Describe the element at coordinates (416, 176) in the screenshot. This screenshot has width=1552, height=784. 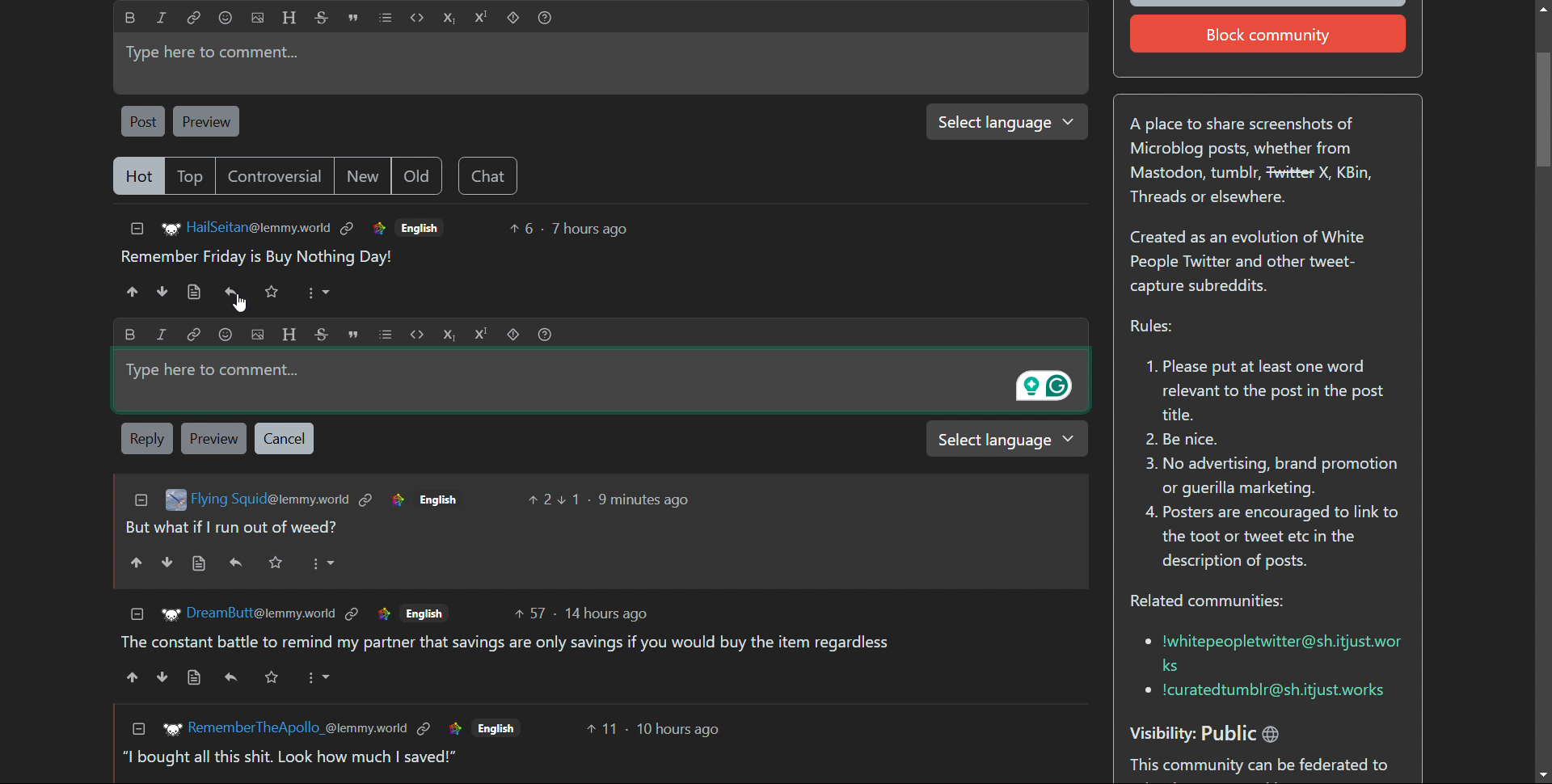
I see `old` at that location.